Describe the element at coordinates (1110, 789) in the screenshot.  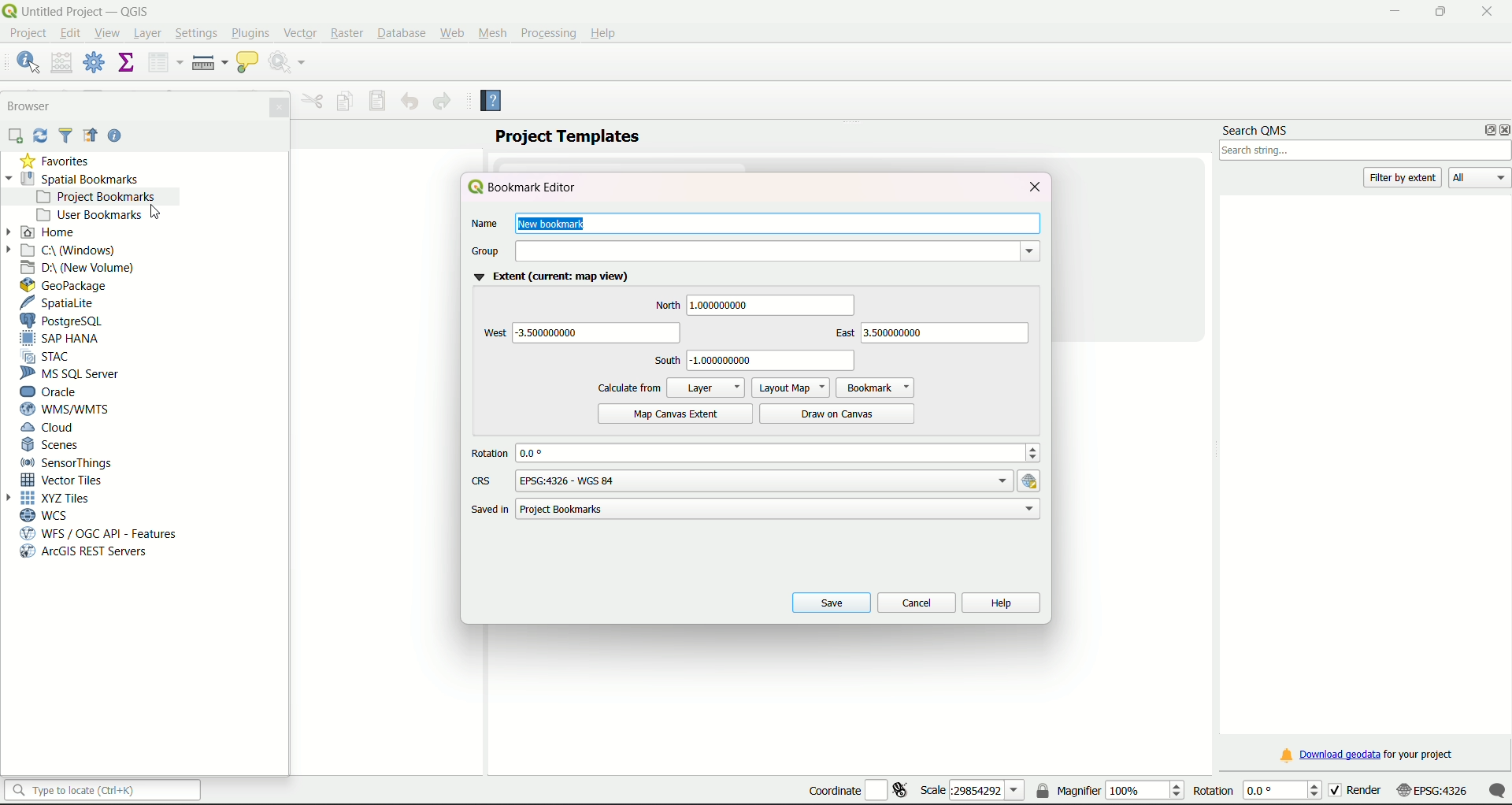
I see `magnifier` at that location.